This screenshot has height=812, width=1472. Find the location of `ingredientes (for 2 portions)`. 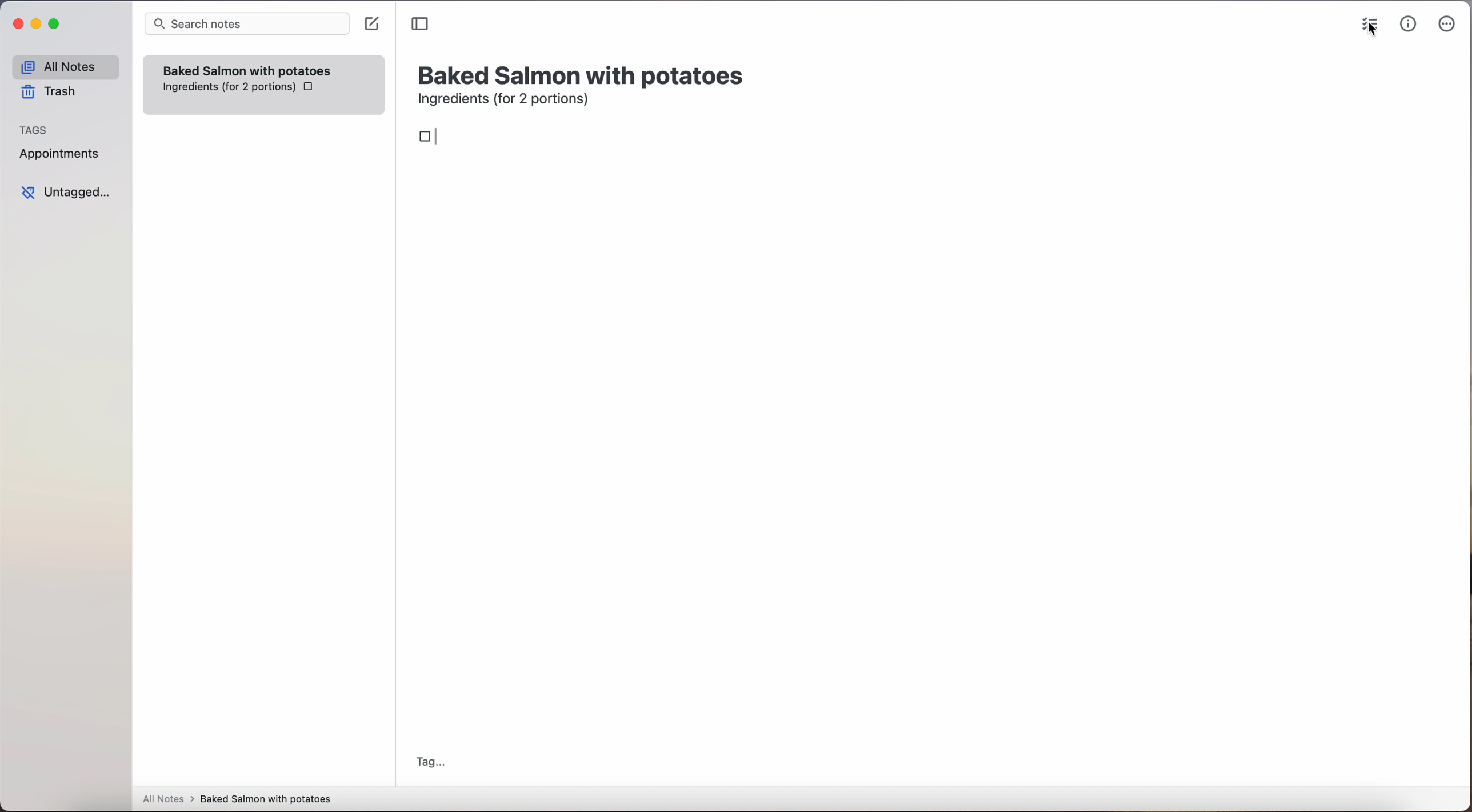

ingredientes (for 2 portions) is located at coordinates (227, 87).